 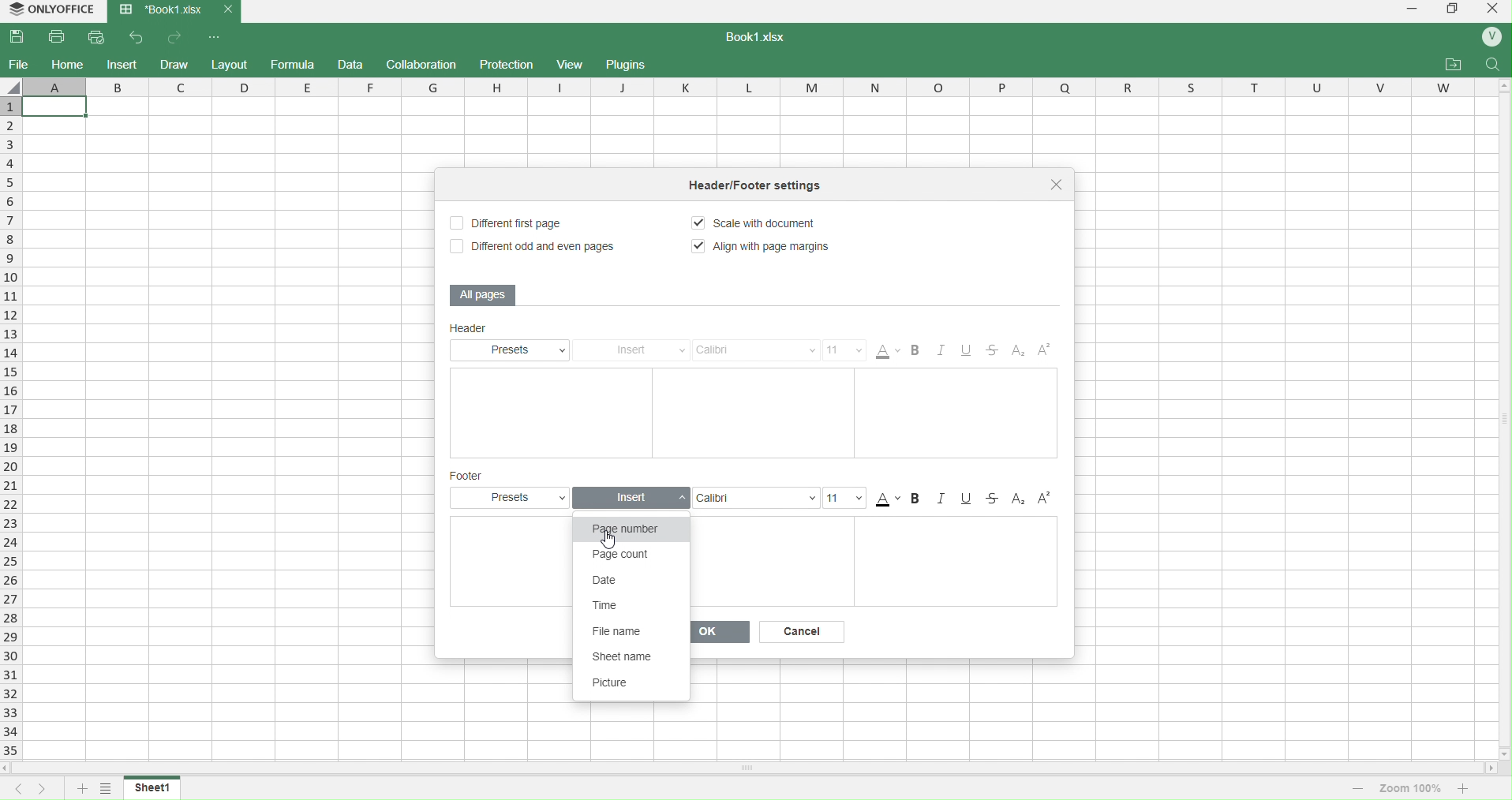 What do you see at coordinates (1494, 64) in the screenshot?
I see `search` at bounding box center [1494, 64].